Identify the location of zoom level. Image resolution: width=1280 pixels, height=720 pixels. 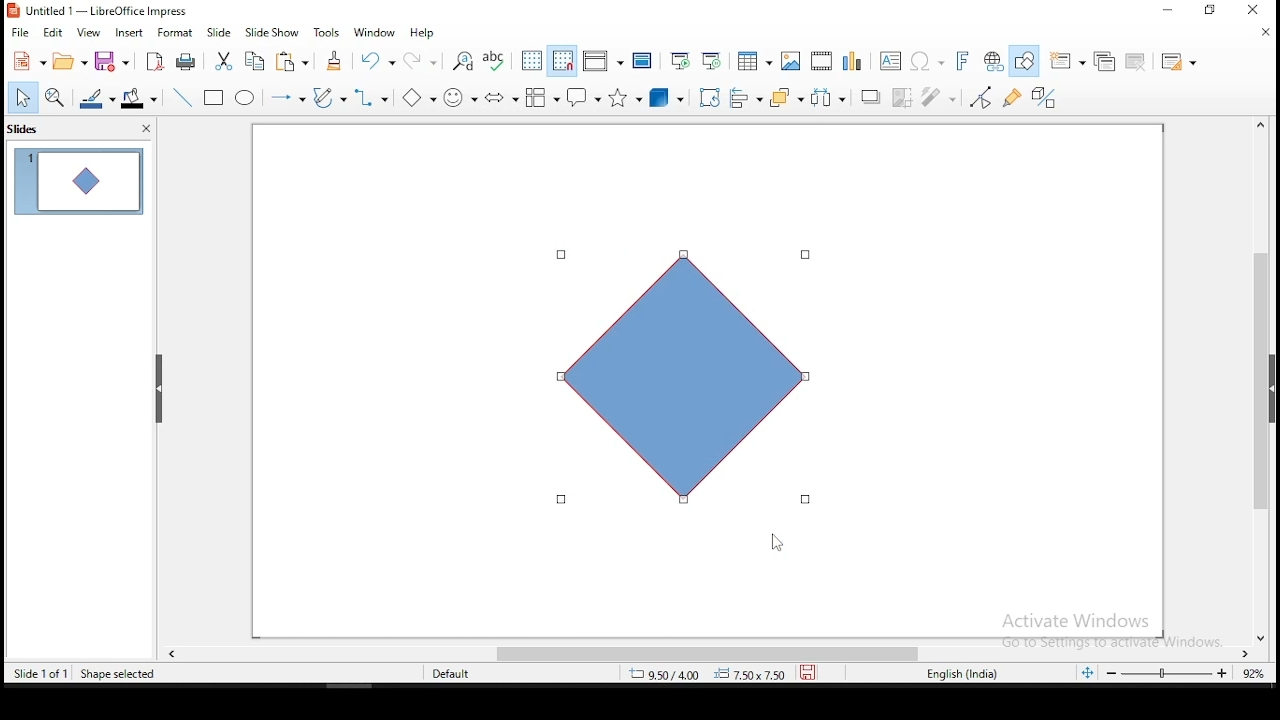
(1167, 673).